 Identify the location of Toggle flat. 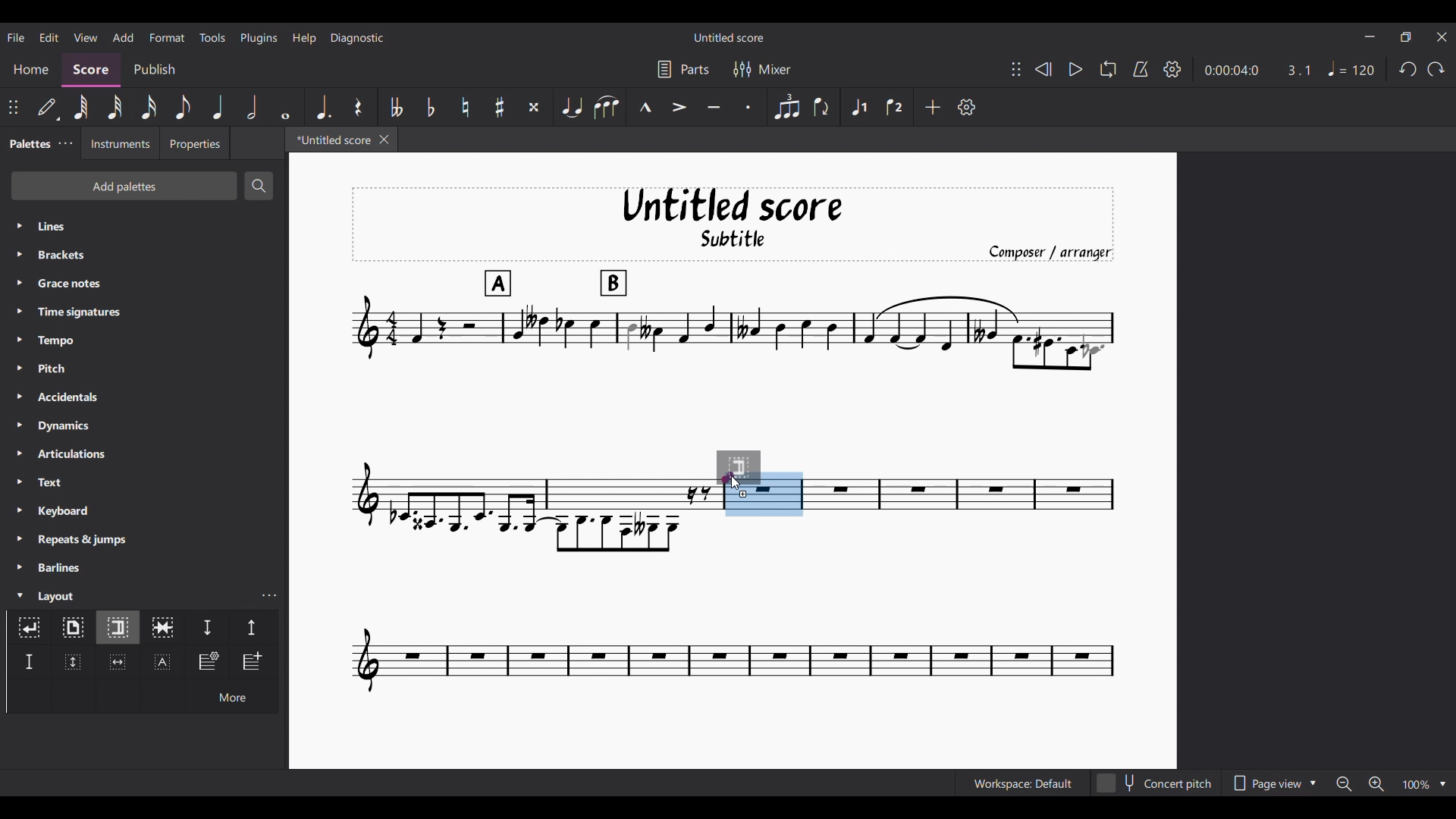
(431, 107).